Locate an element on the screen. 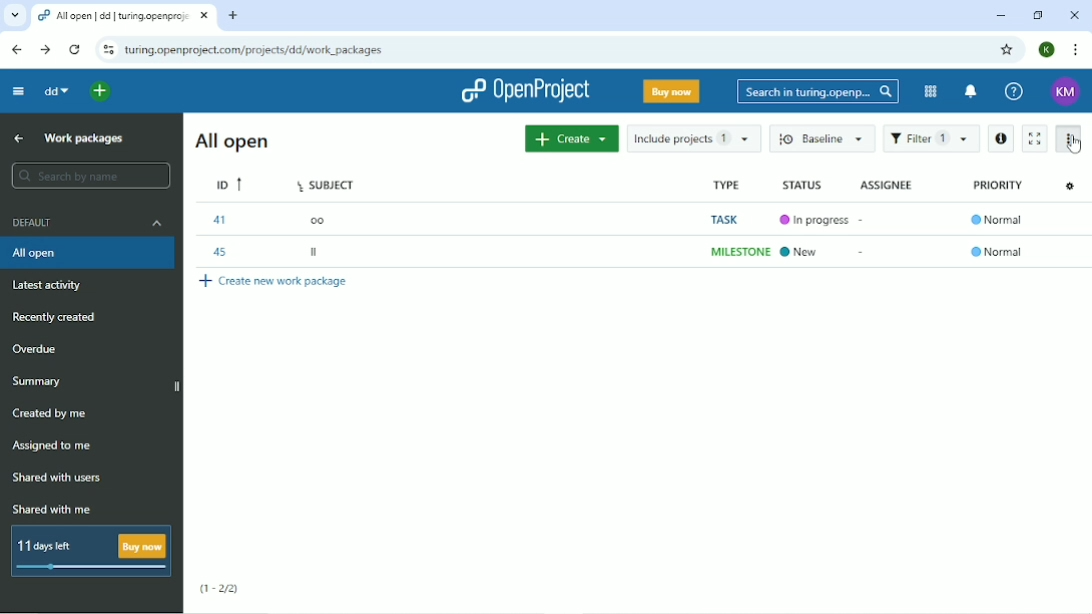 The width and height of the screenshot is (1092, 614). turing.openproject.com/projects/dd/work_packages is located at coordinates (263, 50).